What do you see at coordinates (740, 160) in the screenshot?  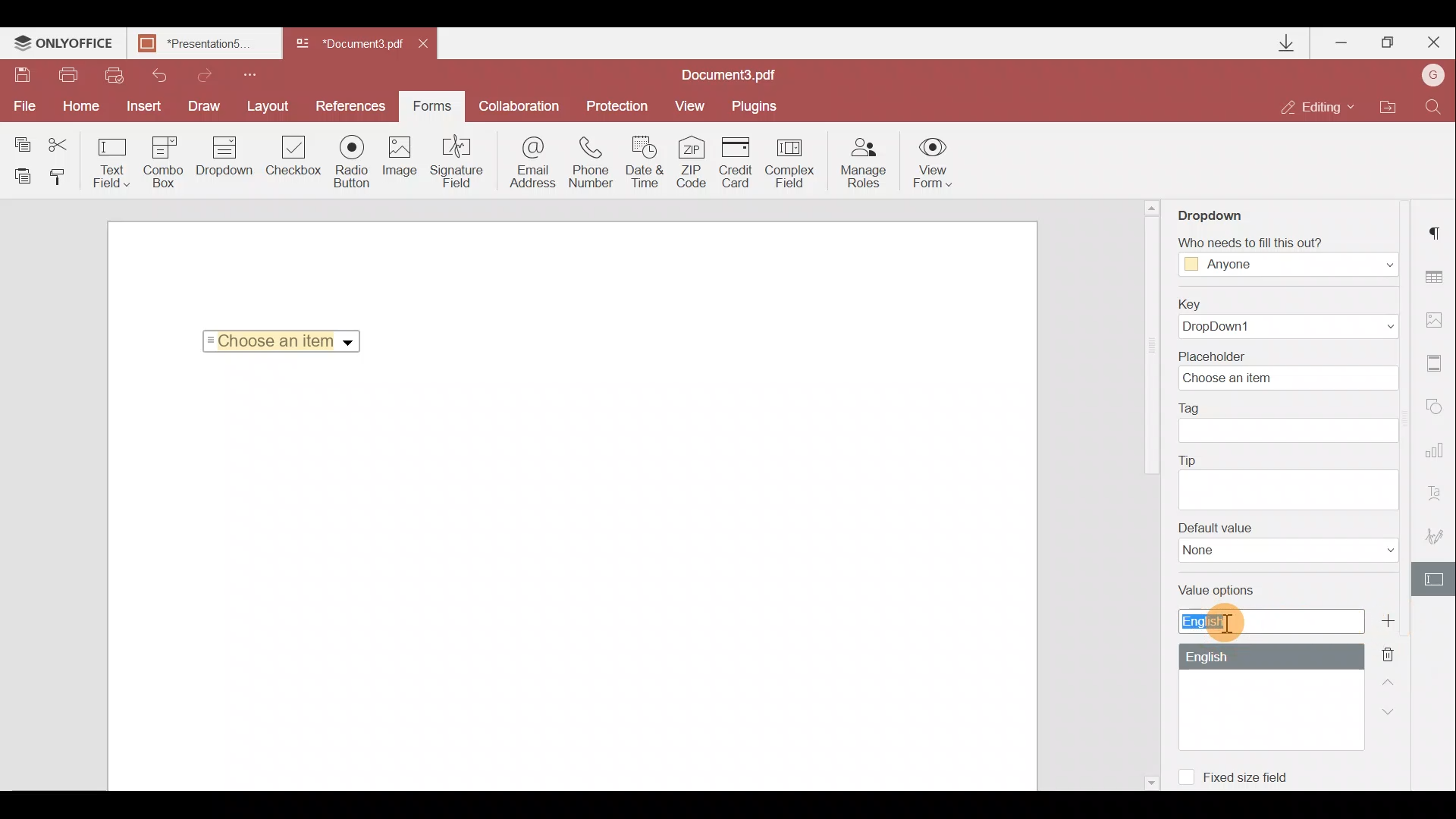 I see `Credit card` at bounding box center [740, 160].